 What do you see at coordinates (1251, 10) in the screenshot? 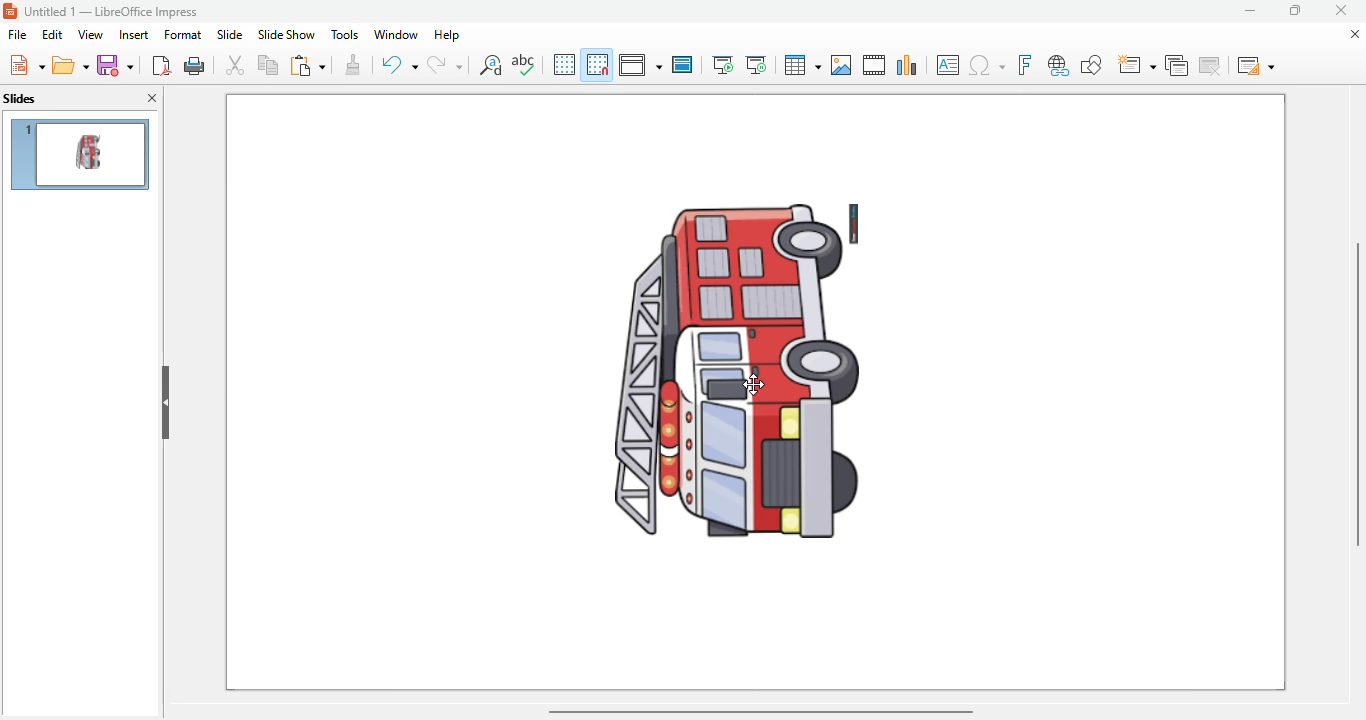
I see `minimize` at bounding box center [1251, 10].